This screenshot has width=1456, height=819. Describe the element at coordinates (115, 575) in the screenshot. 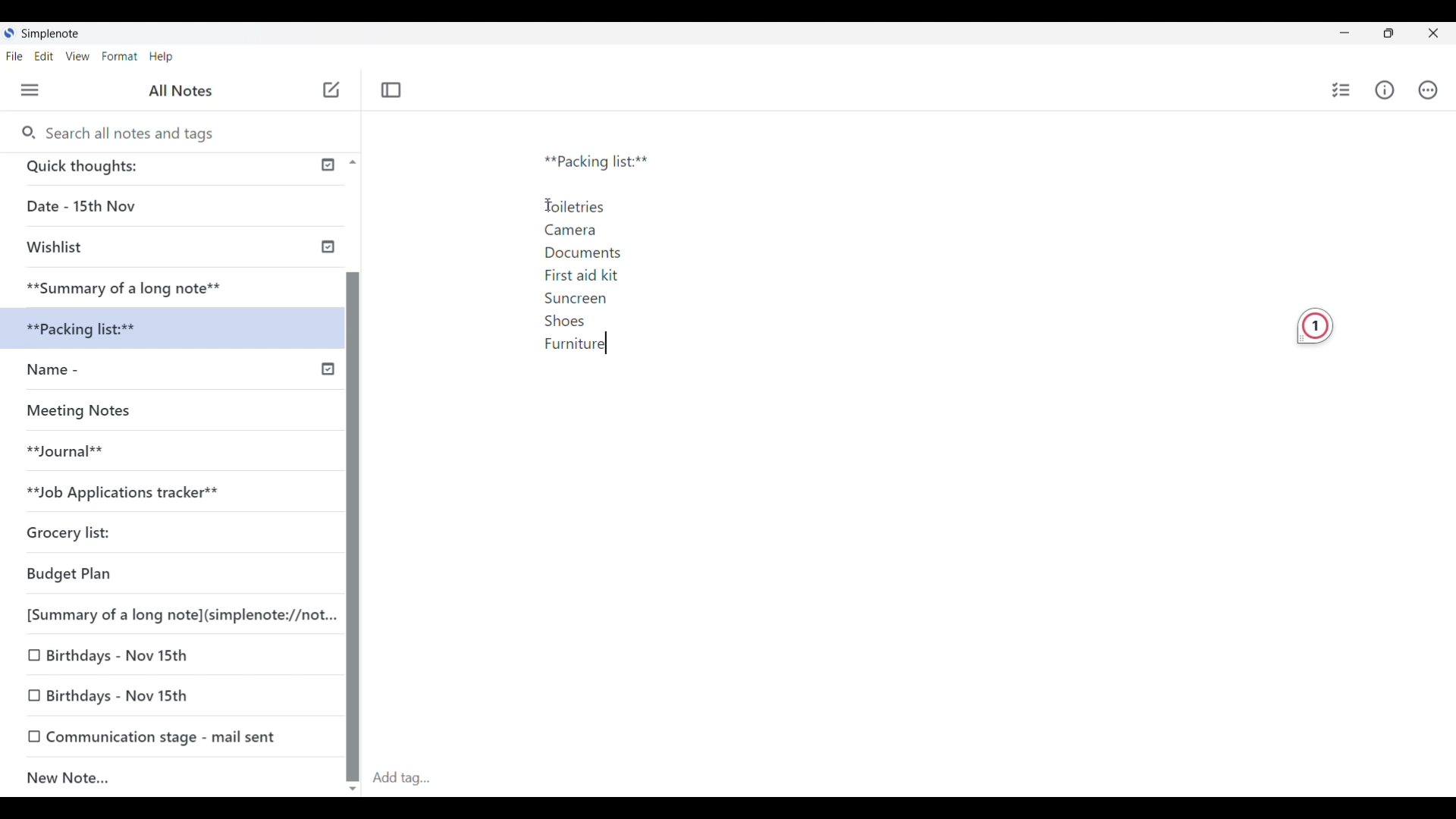

I see `Budget Plan` at that location.